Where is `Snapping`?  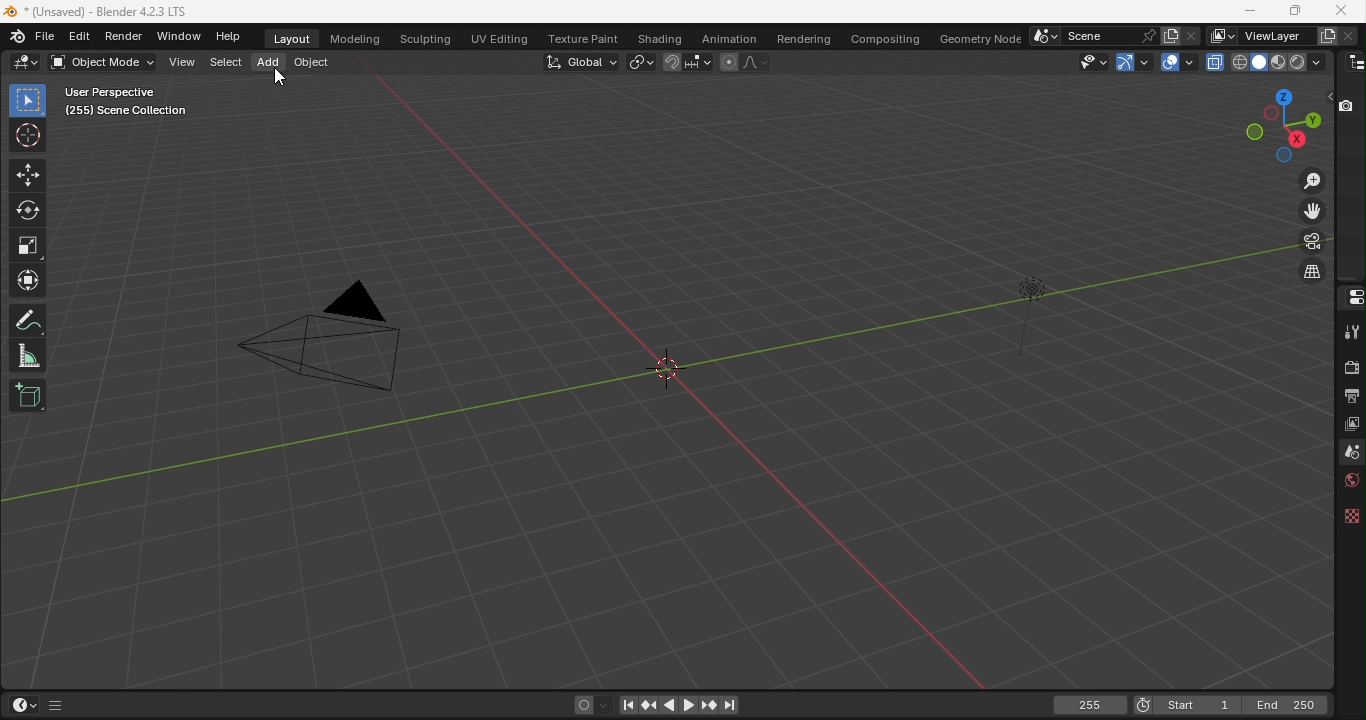 Snapping is located at coordinates (702, 63).